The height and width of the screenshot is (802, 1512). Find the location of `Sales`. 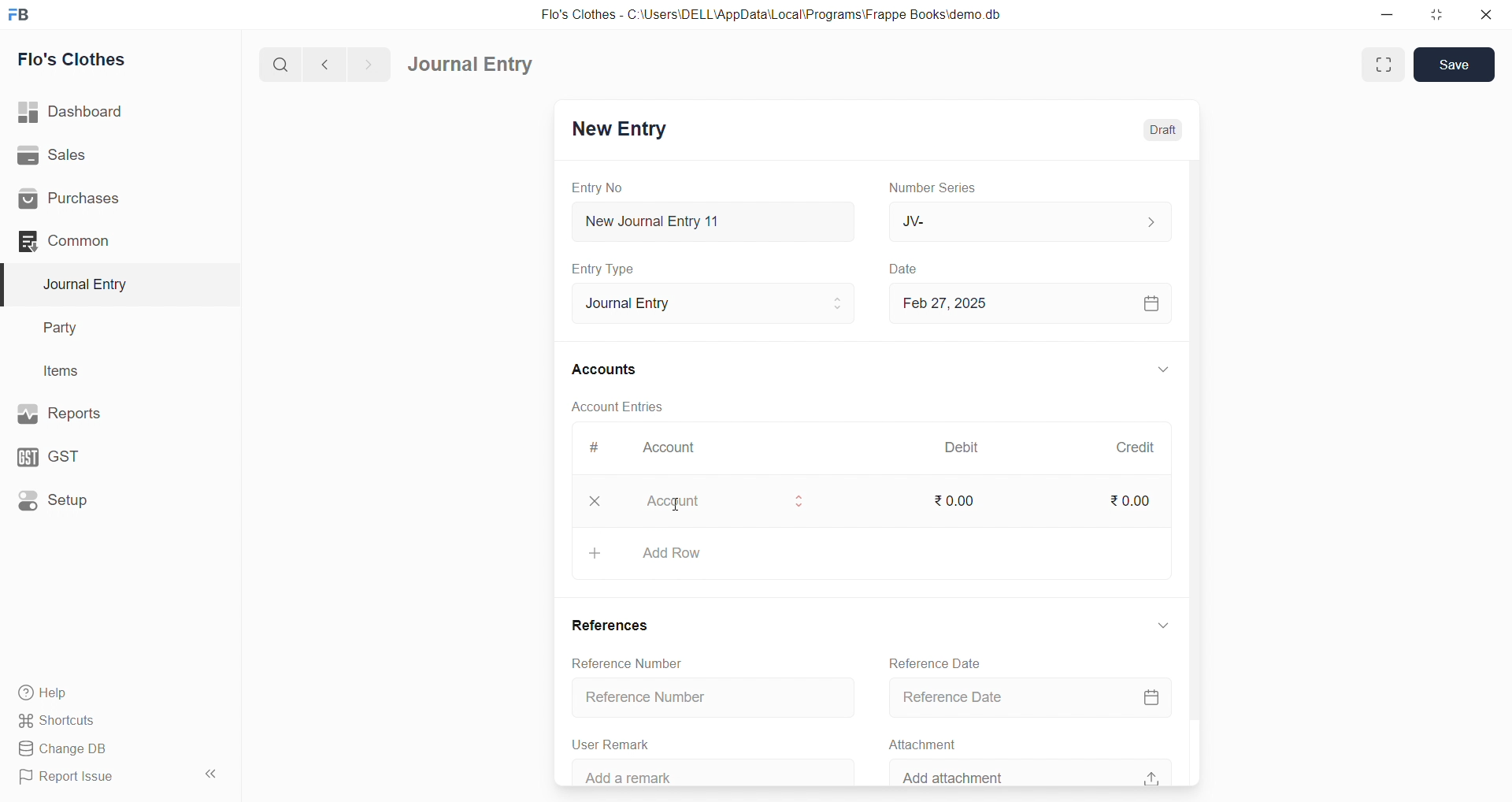

Sales is located at coordinates (94, 154).